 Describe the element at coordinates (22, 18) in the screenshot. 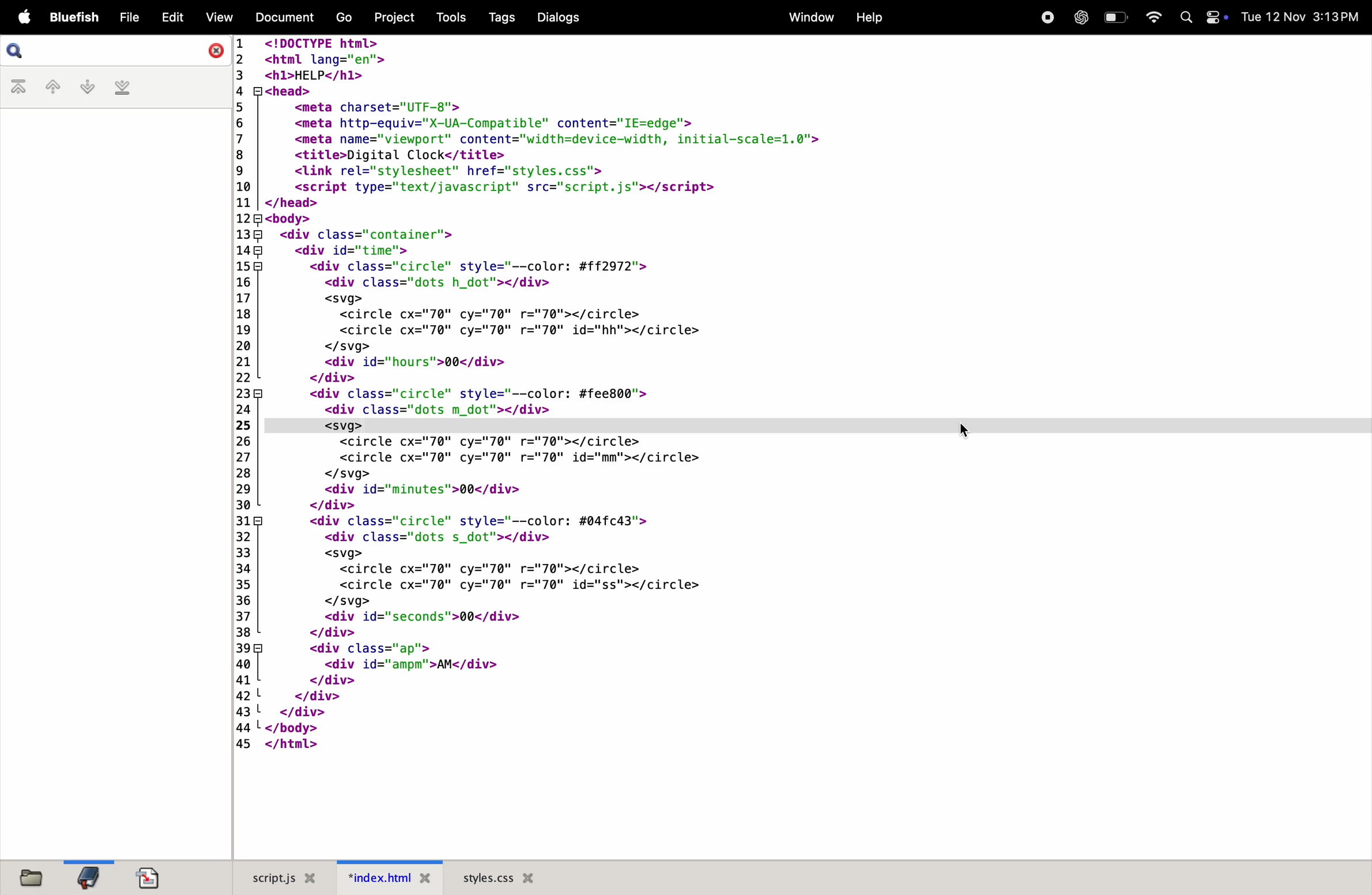

I see `apple menu` at that location.